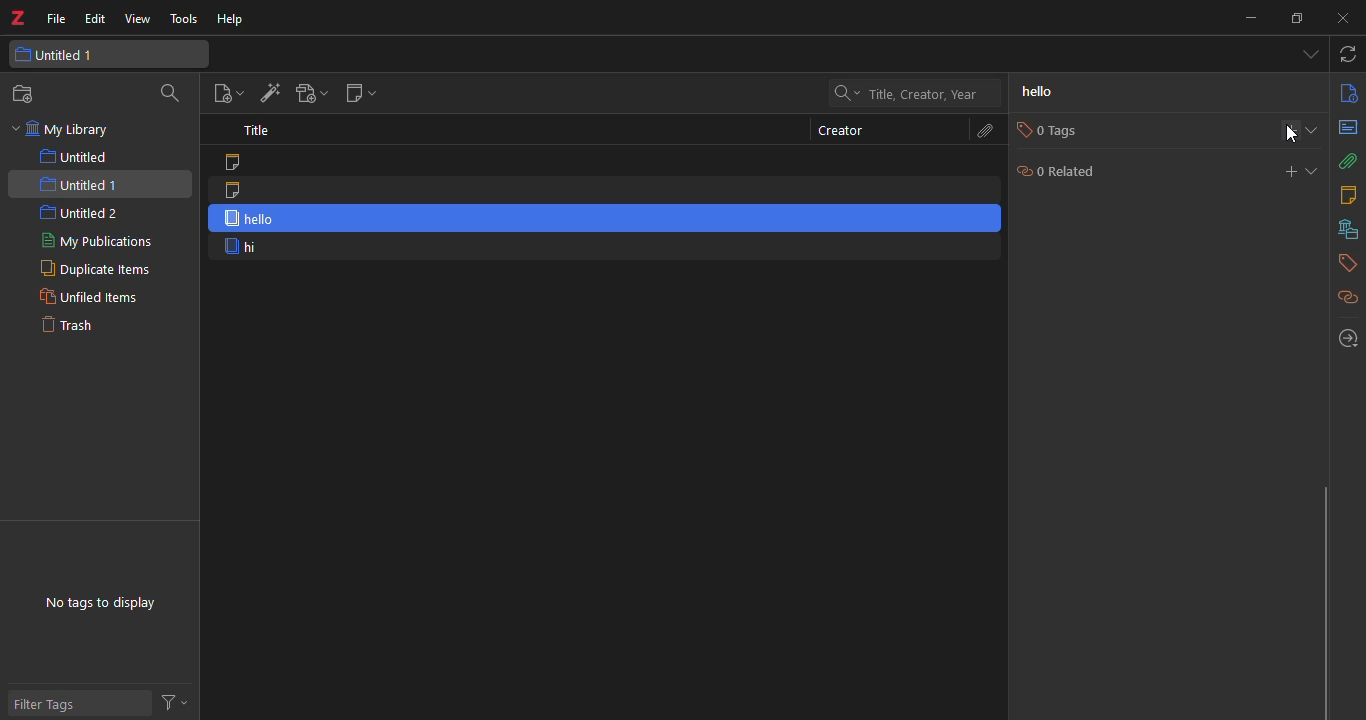  I want to click on file, so click(57, 20).